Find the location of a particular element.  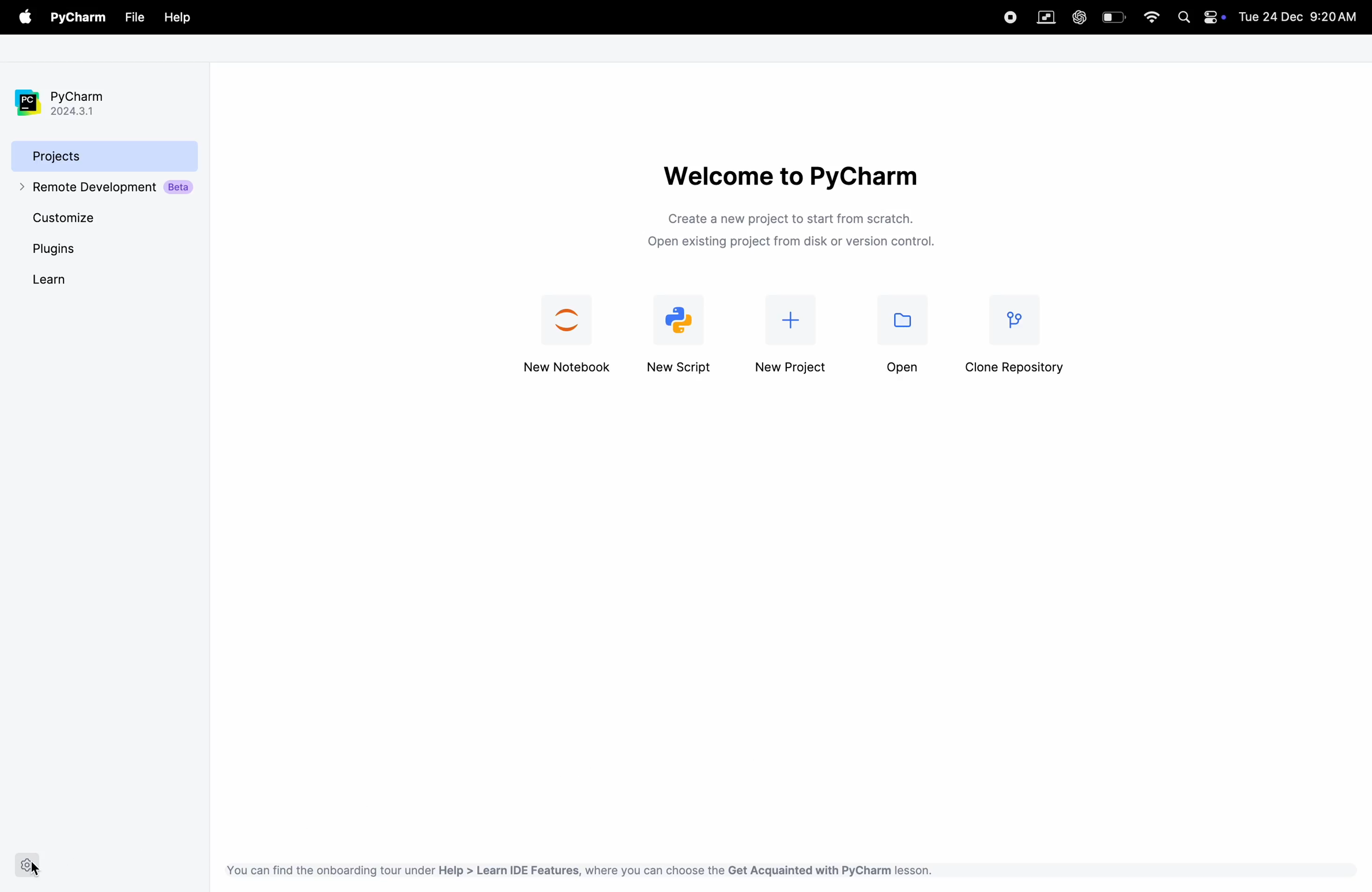

File is located at coordinates (133, 18).